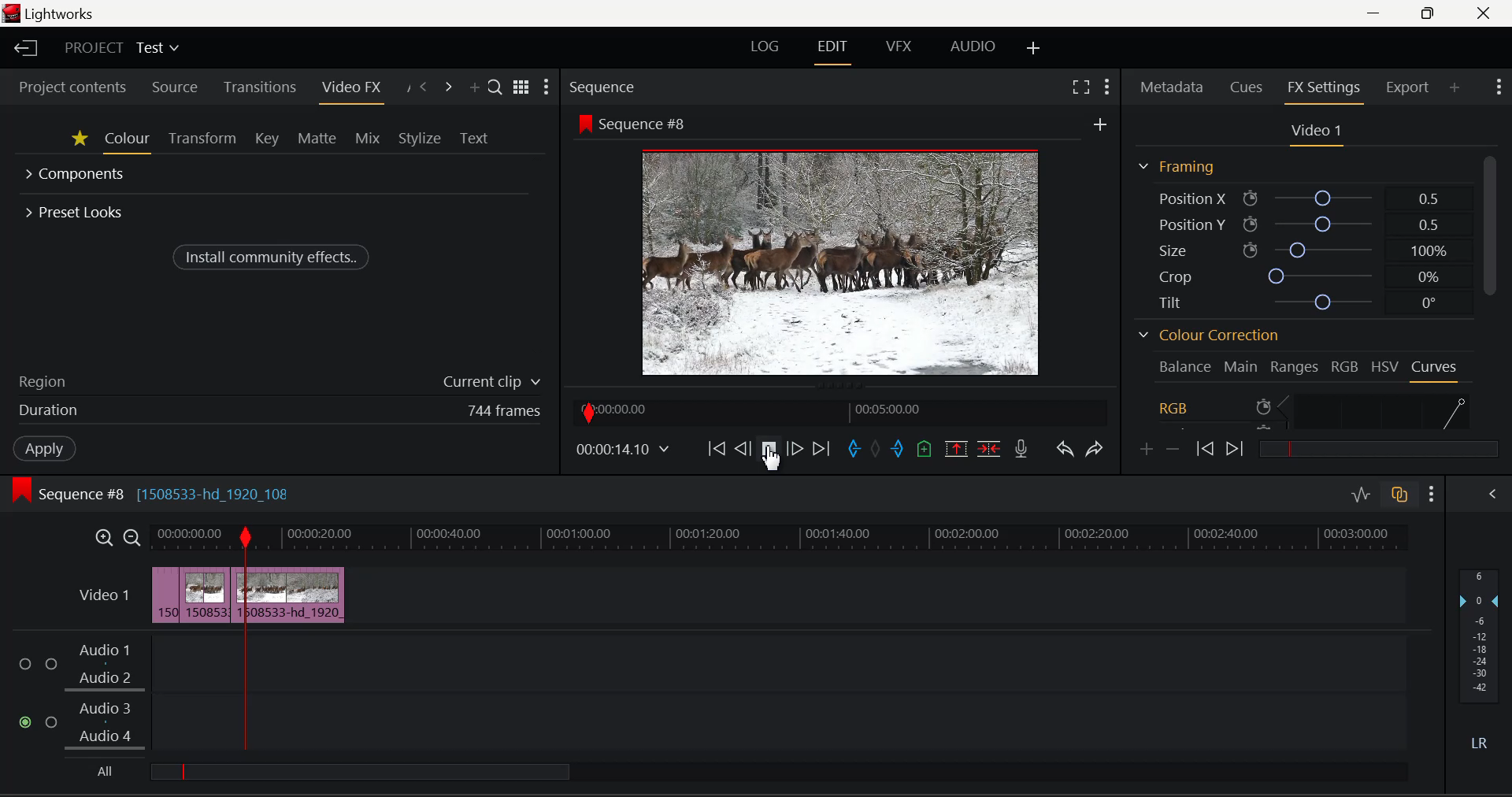 The width and height of the screenshot is (1512, 797). I want to click on Mix, so click(369, 139).